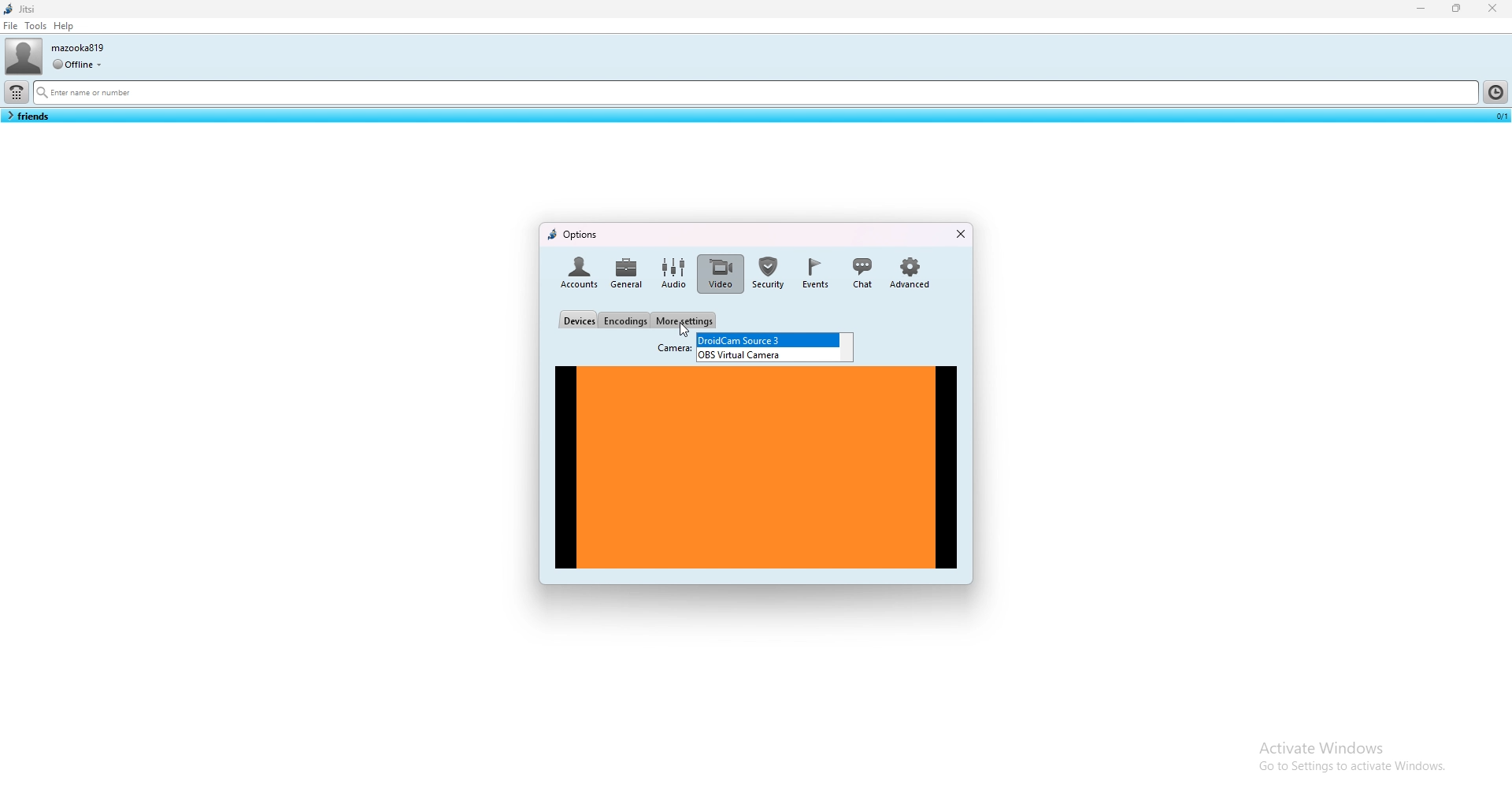 This screenshot has height=811, width=1512. What do you see at coordinates (754, 94) in the screenshot?
I see `search bar` at bounding box center [754, 94].